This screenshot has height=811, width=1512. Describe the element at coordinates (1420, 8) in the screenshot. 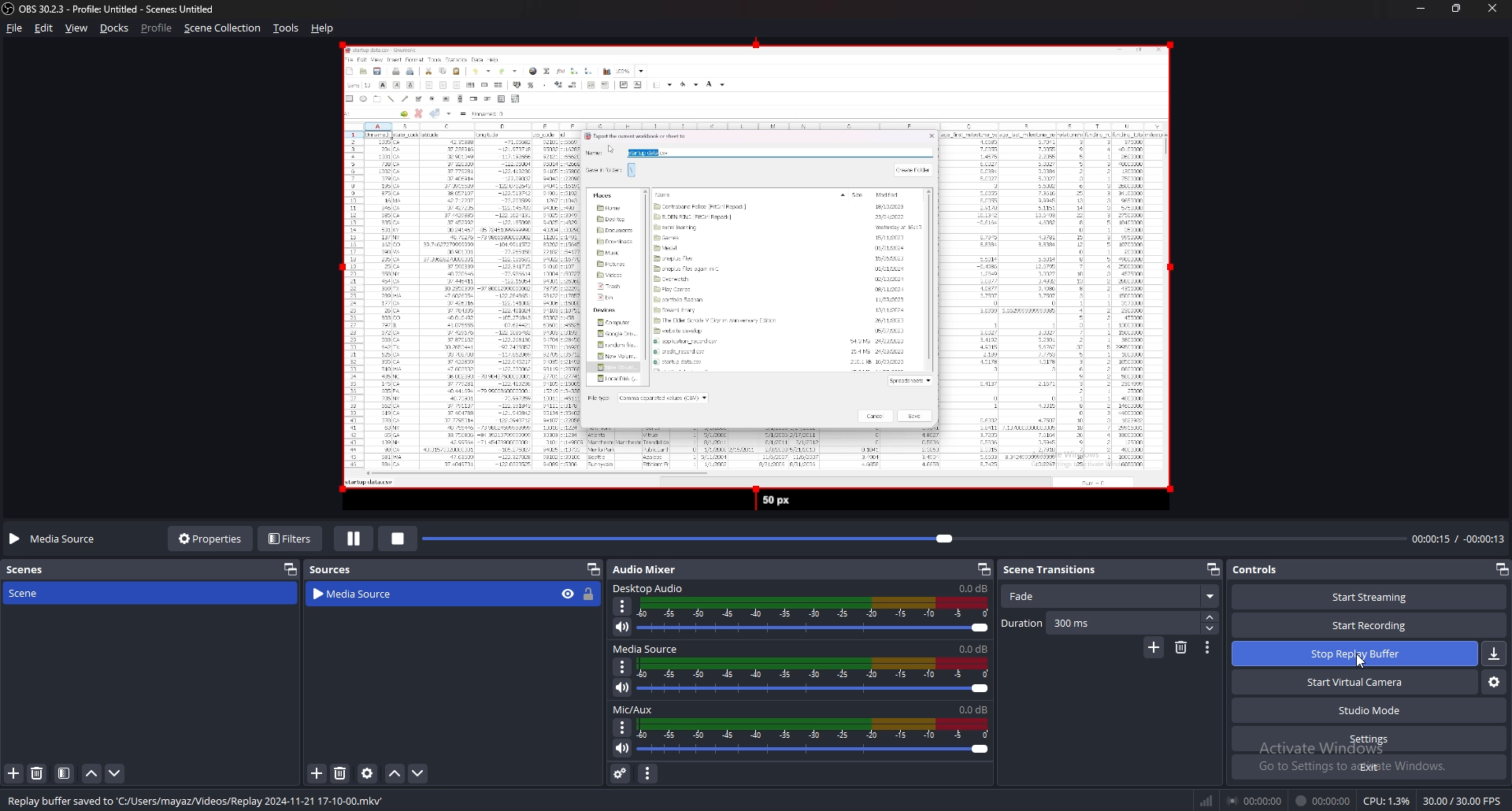

I see `minimize` at that location.